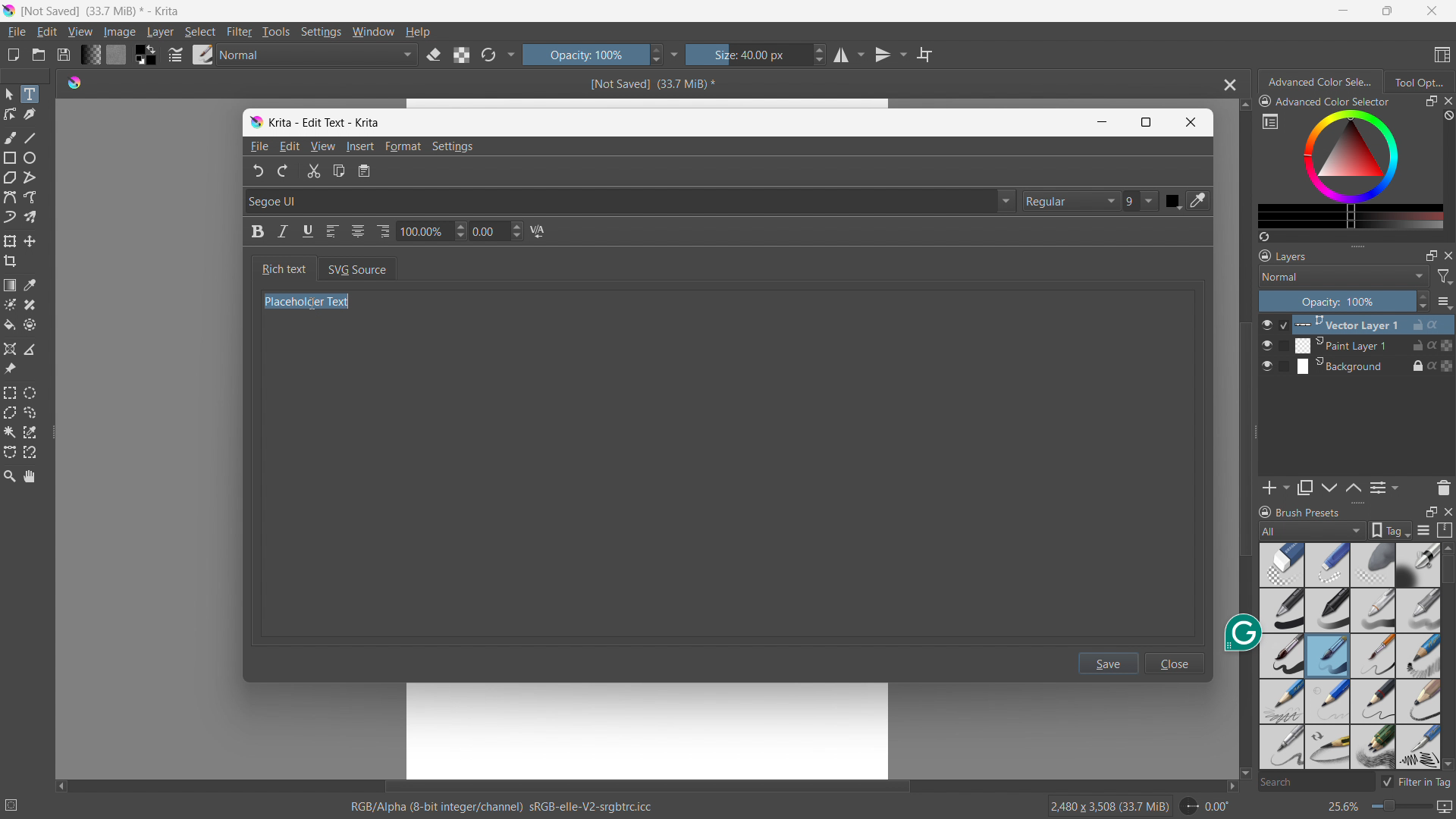  What do you see at coordinates (1351, 217) in the screenshot?
I see `more colors` at bounding box center [1351, 217].